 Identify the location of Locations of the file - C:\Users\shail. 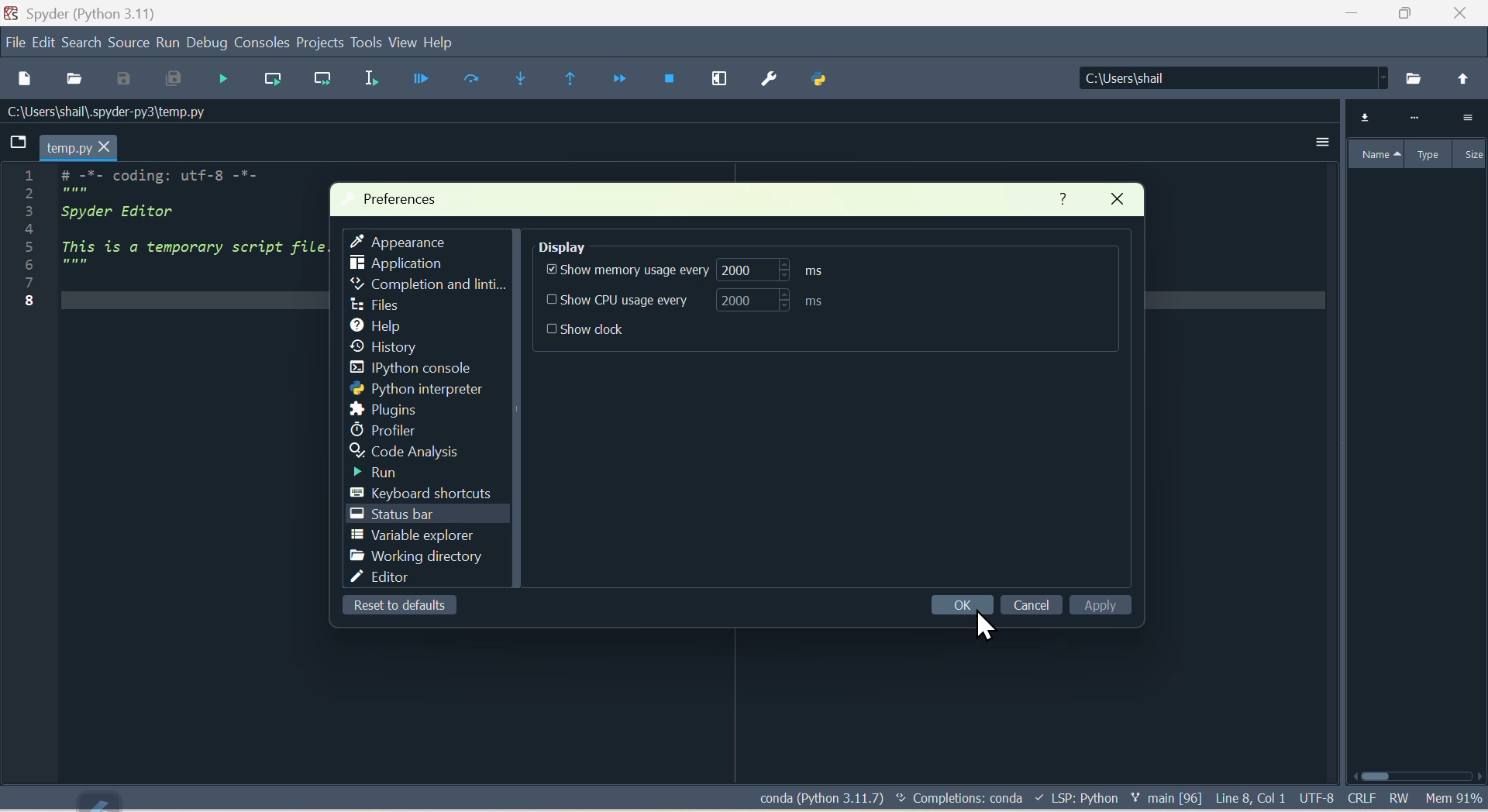
(1227, 79).